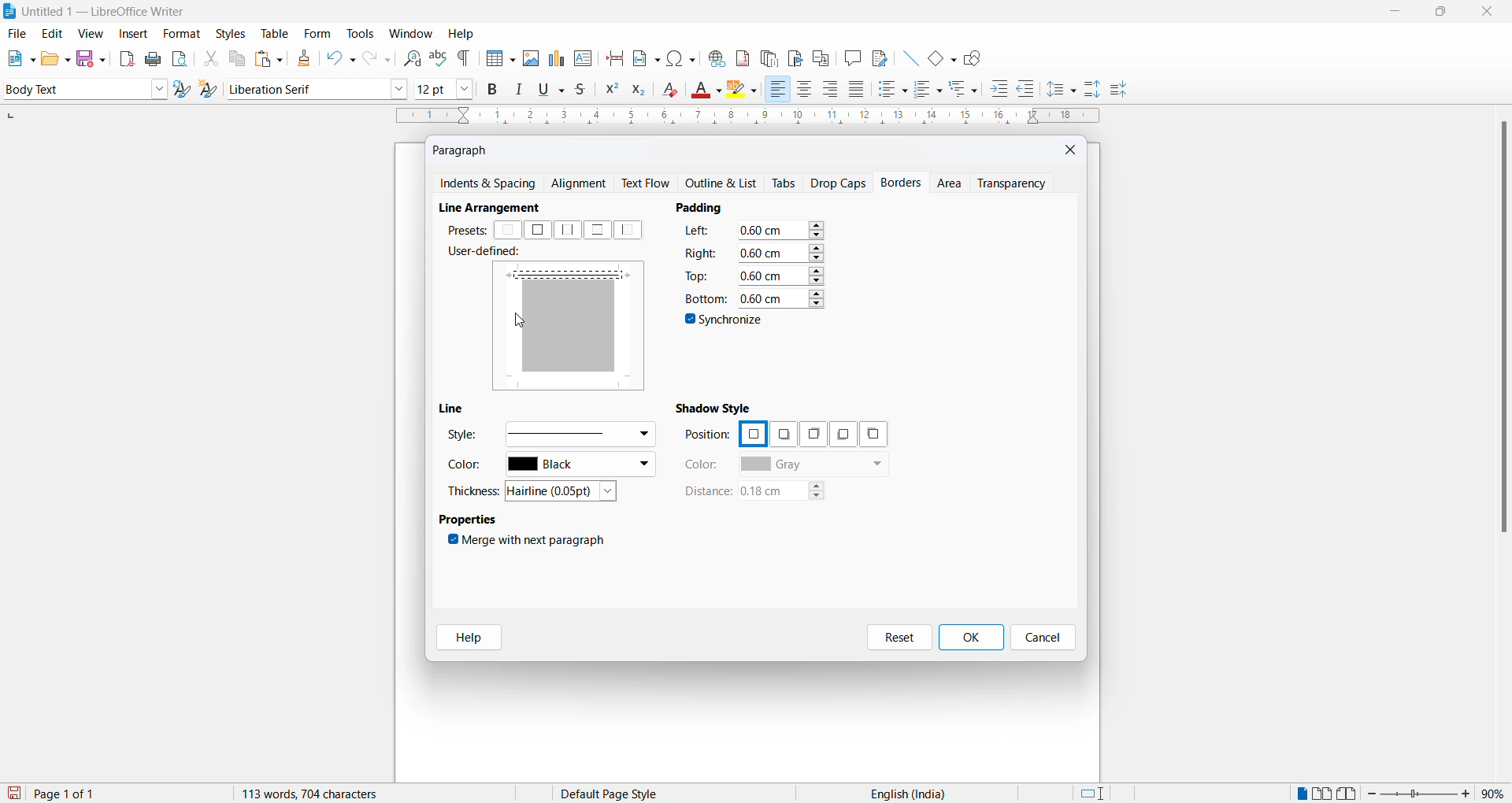 This screenshot has height=803, width=1512. What do you see at coordinates (530, 58) in the screenshot?
I see `insert image` at bounding box center [530, 58].